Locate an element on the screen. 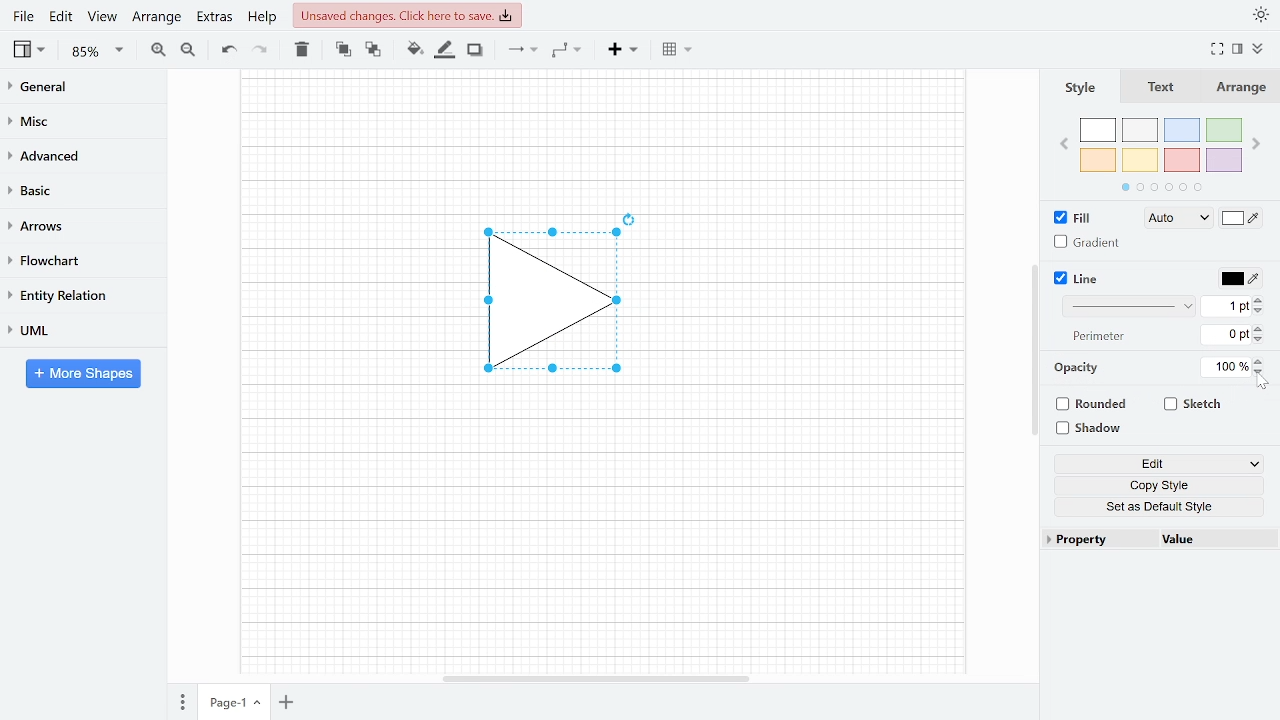 This screenshot has height=720, width=1280. Current page is located at coordinates (223, 703).